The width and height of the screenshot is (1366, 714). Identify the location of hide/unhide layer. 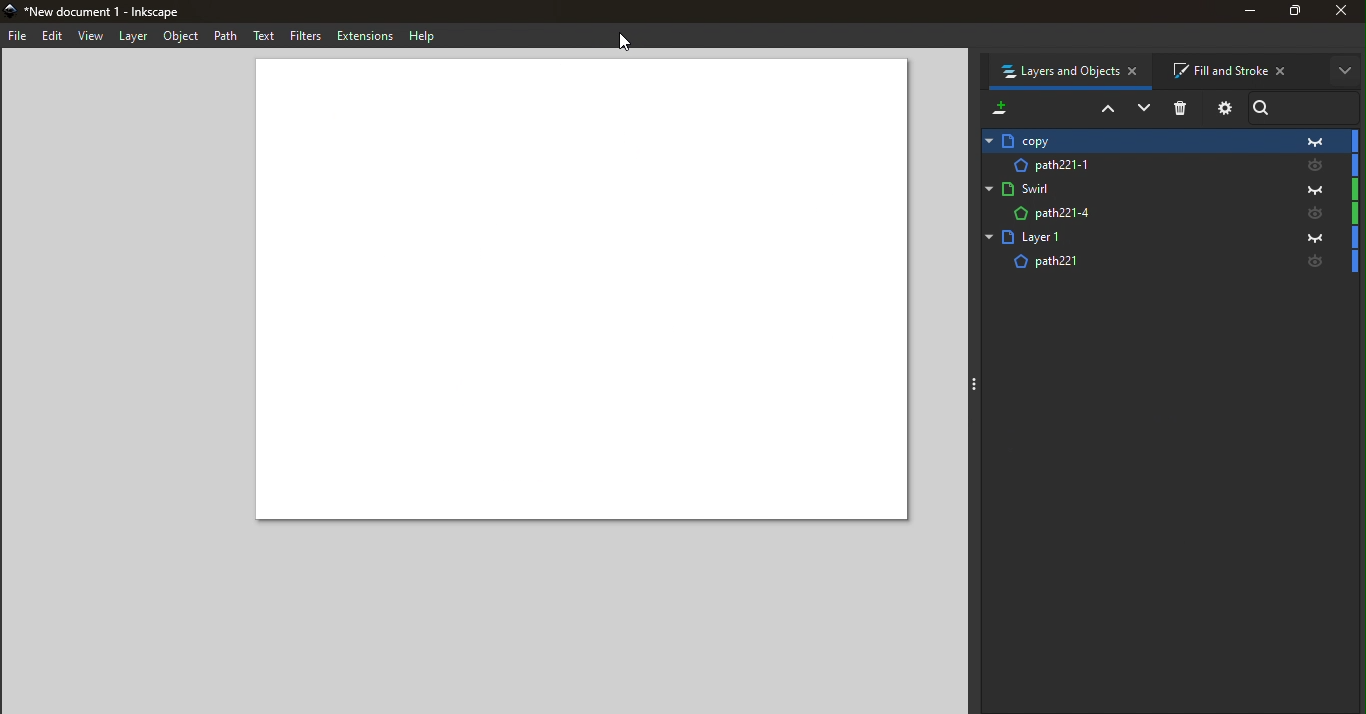
(1322, 235).